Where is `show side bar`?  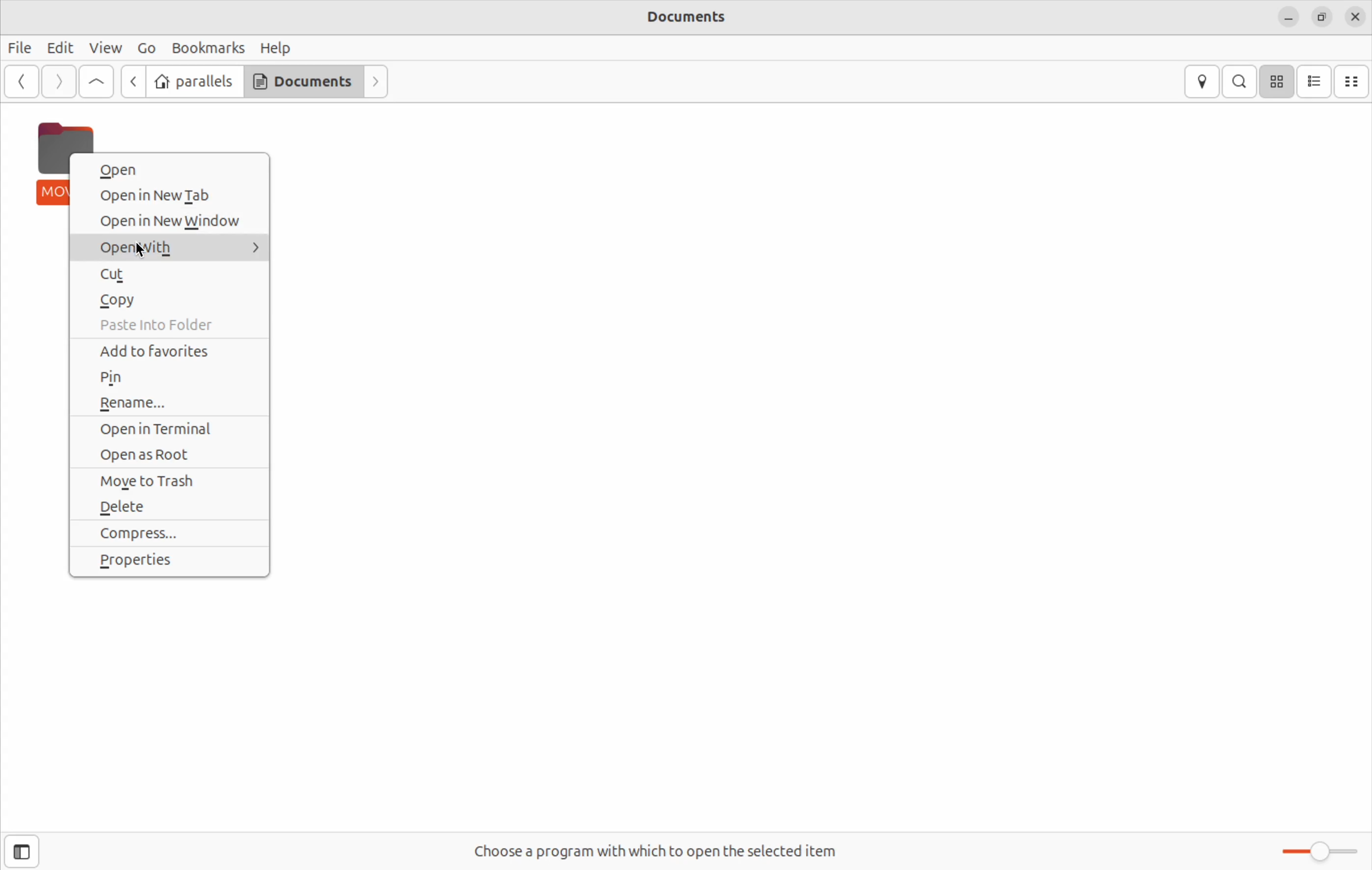 show side bar is located at coordinates (23, 851).